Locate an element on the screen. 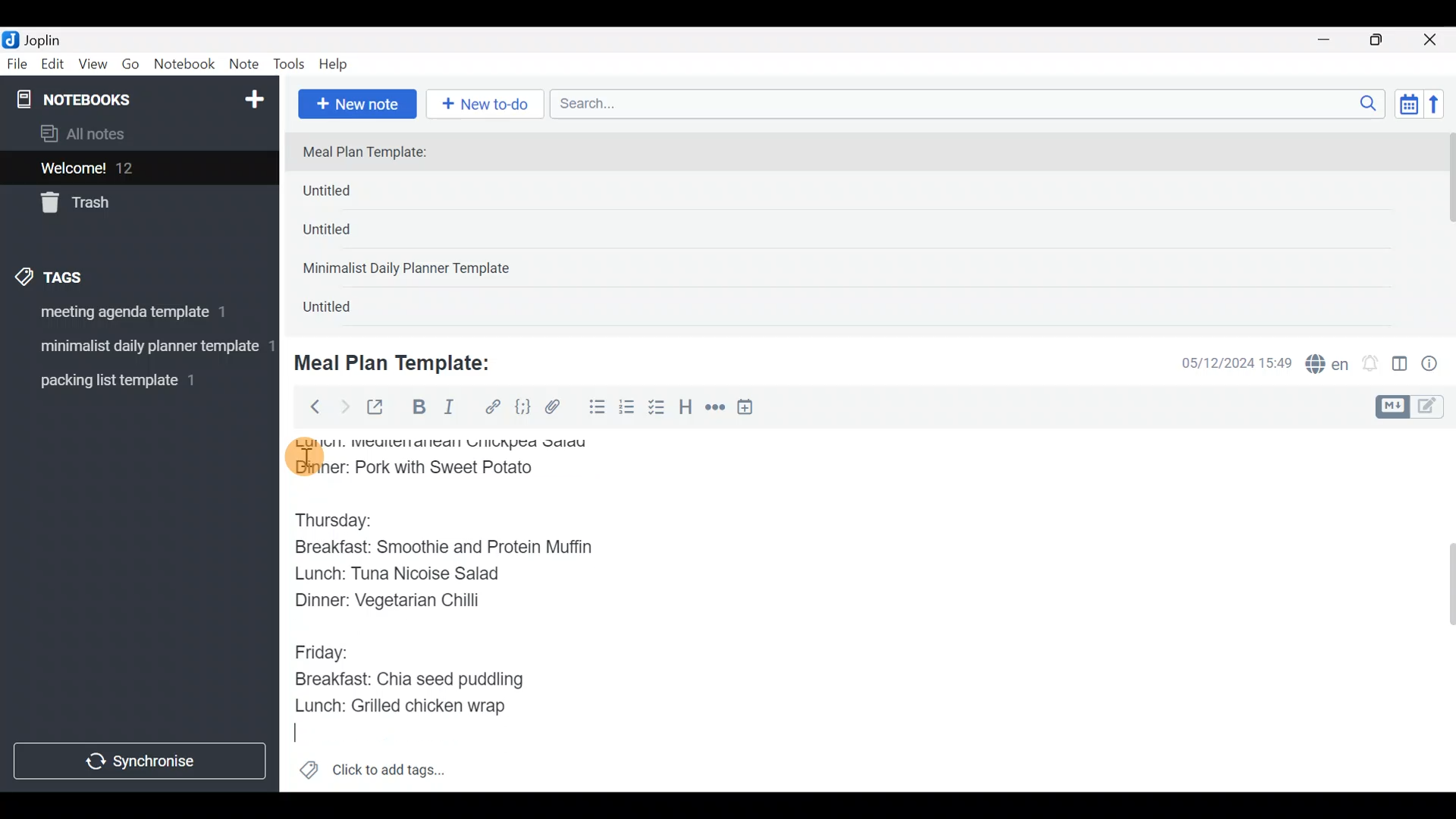 The height and width of the screenshot is (819, 1456). Untitled is located at coordinates (352, 194).